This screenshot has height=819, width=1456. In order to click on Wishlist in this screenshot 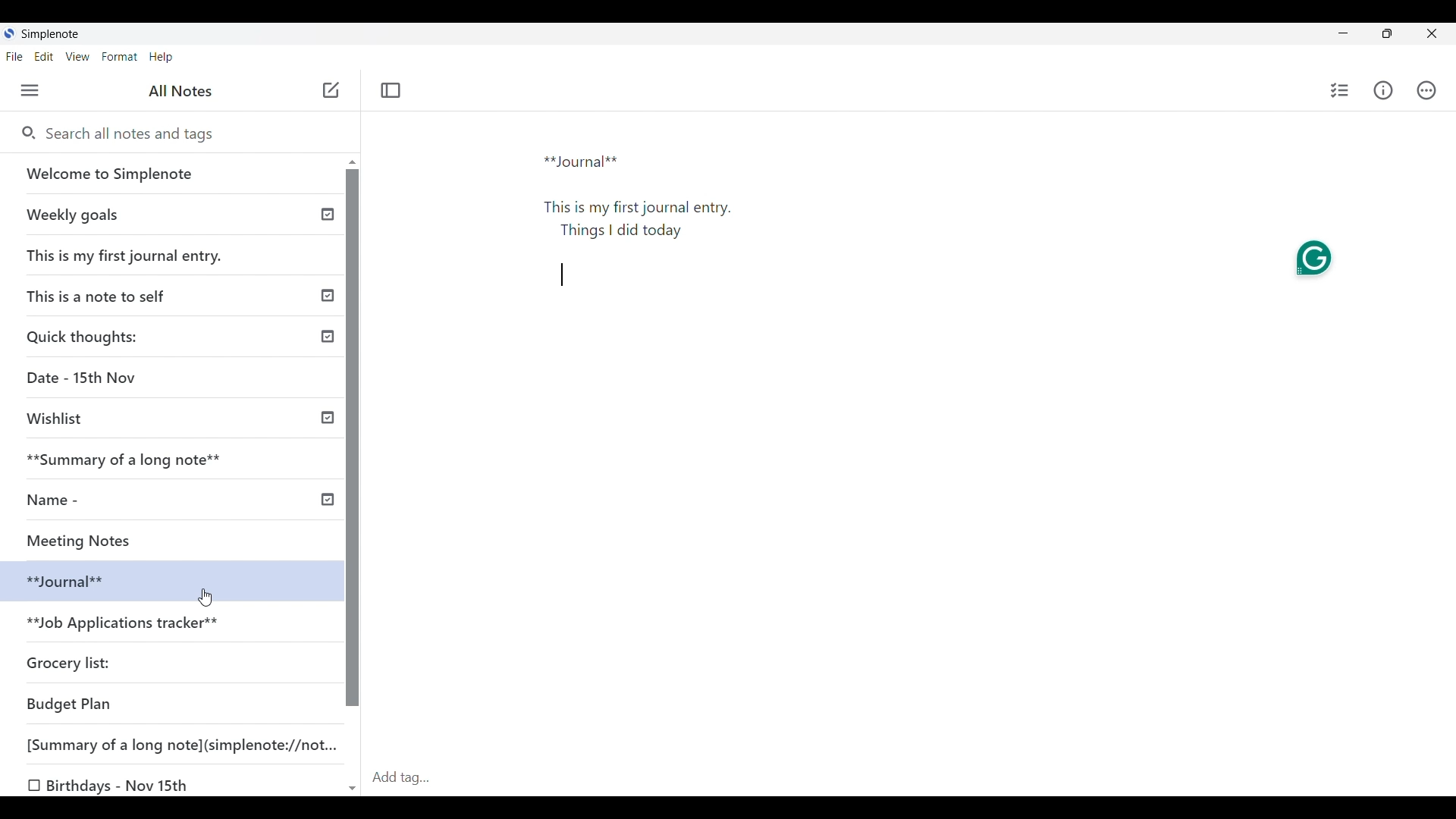, I will do `click(61, 419)`.